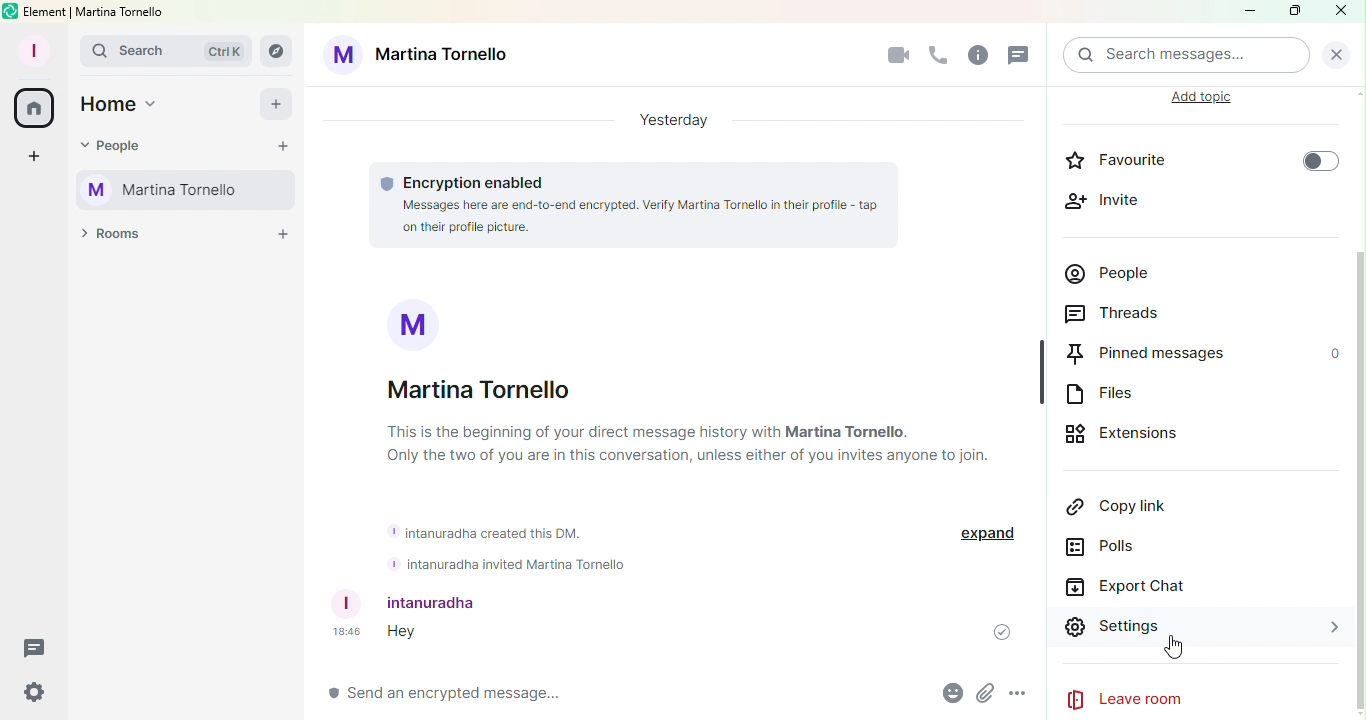 Image resolution: width=1366 pixels, height=720 pixels. I want to click on expand, so click(984, 533).